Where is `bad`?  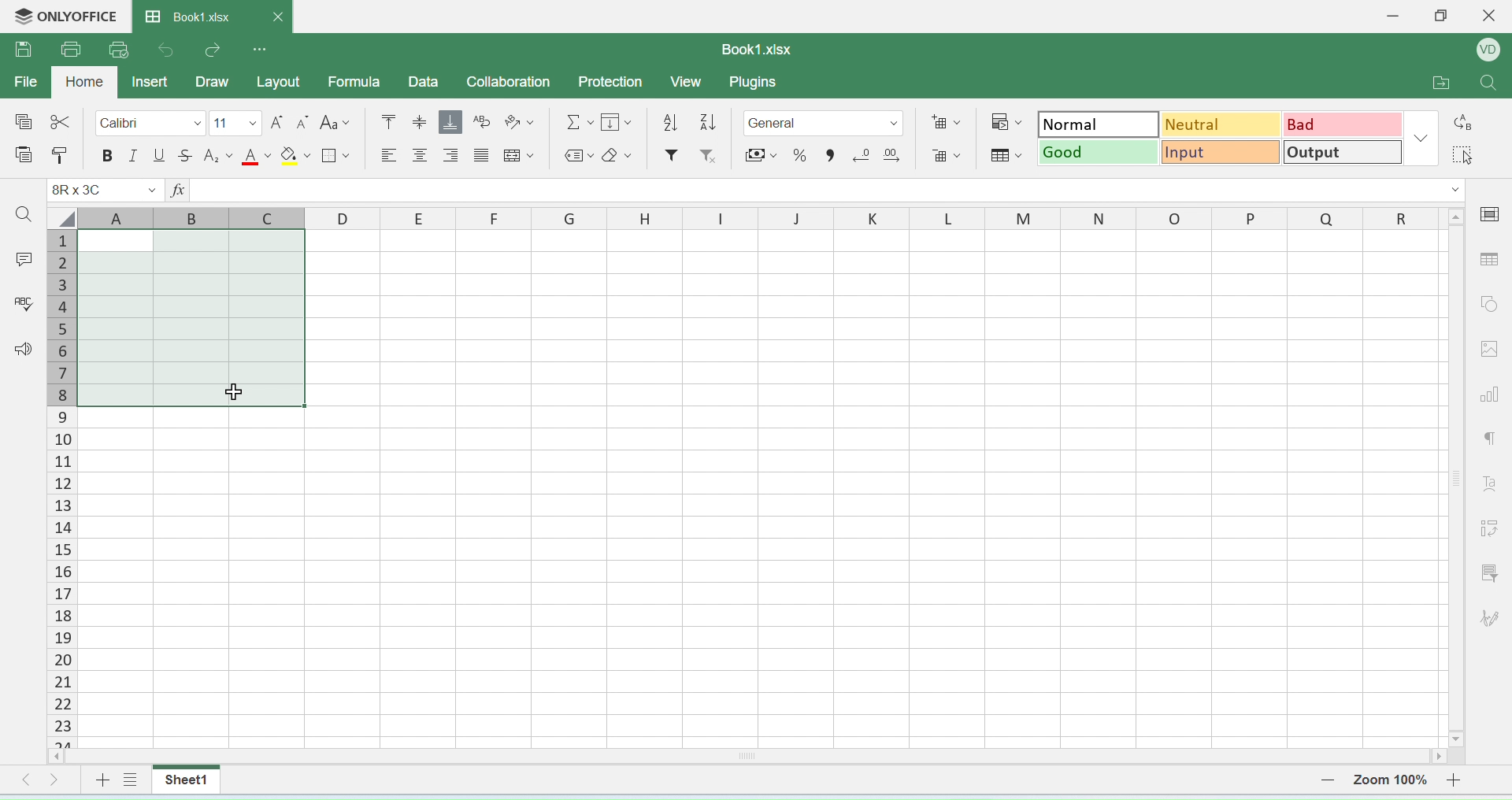 bad is located at coordinates (1340, 124).